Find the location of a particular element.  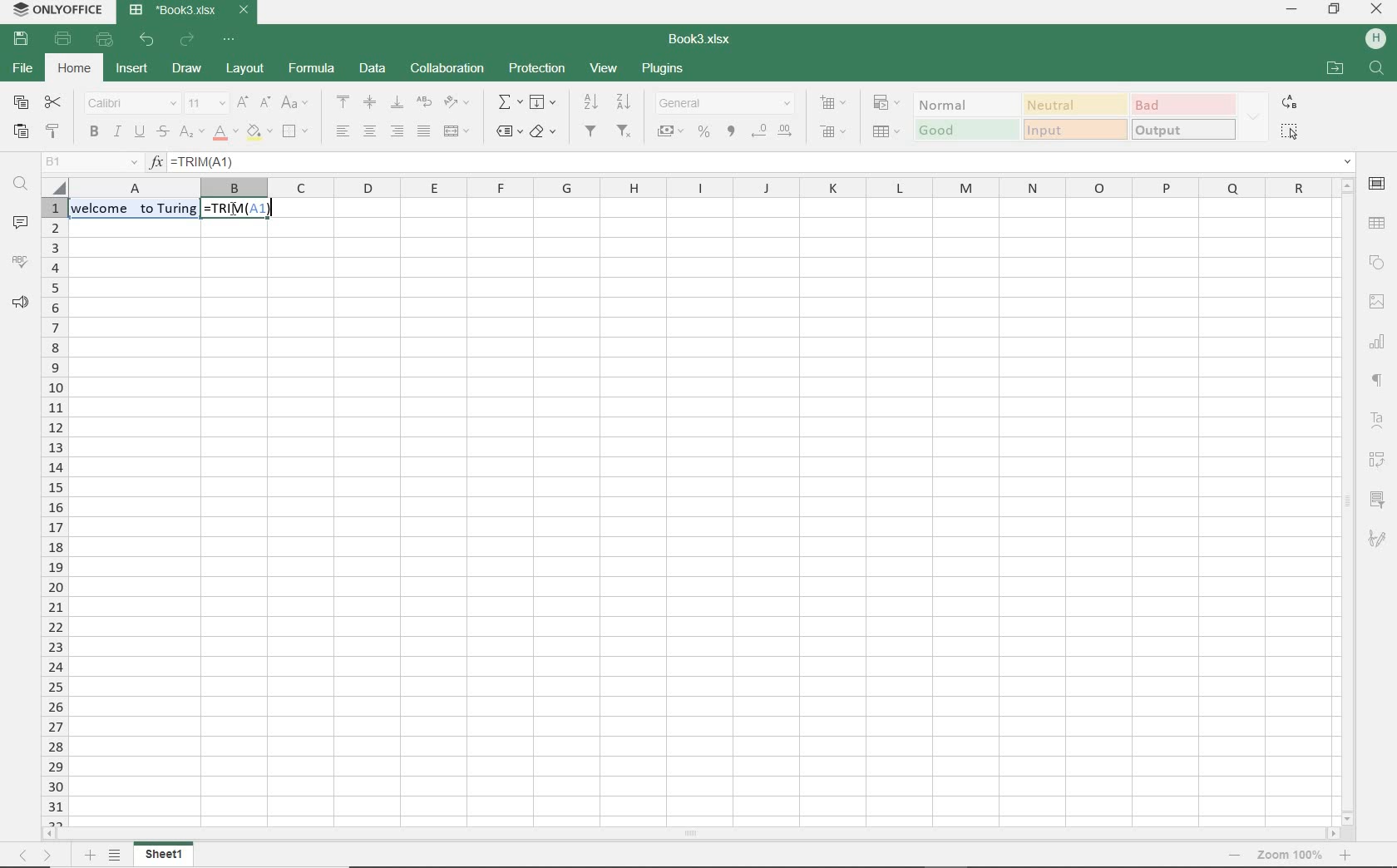

number format is located at coordinates (725, 105).